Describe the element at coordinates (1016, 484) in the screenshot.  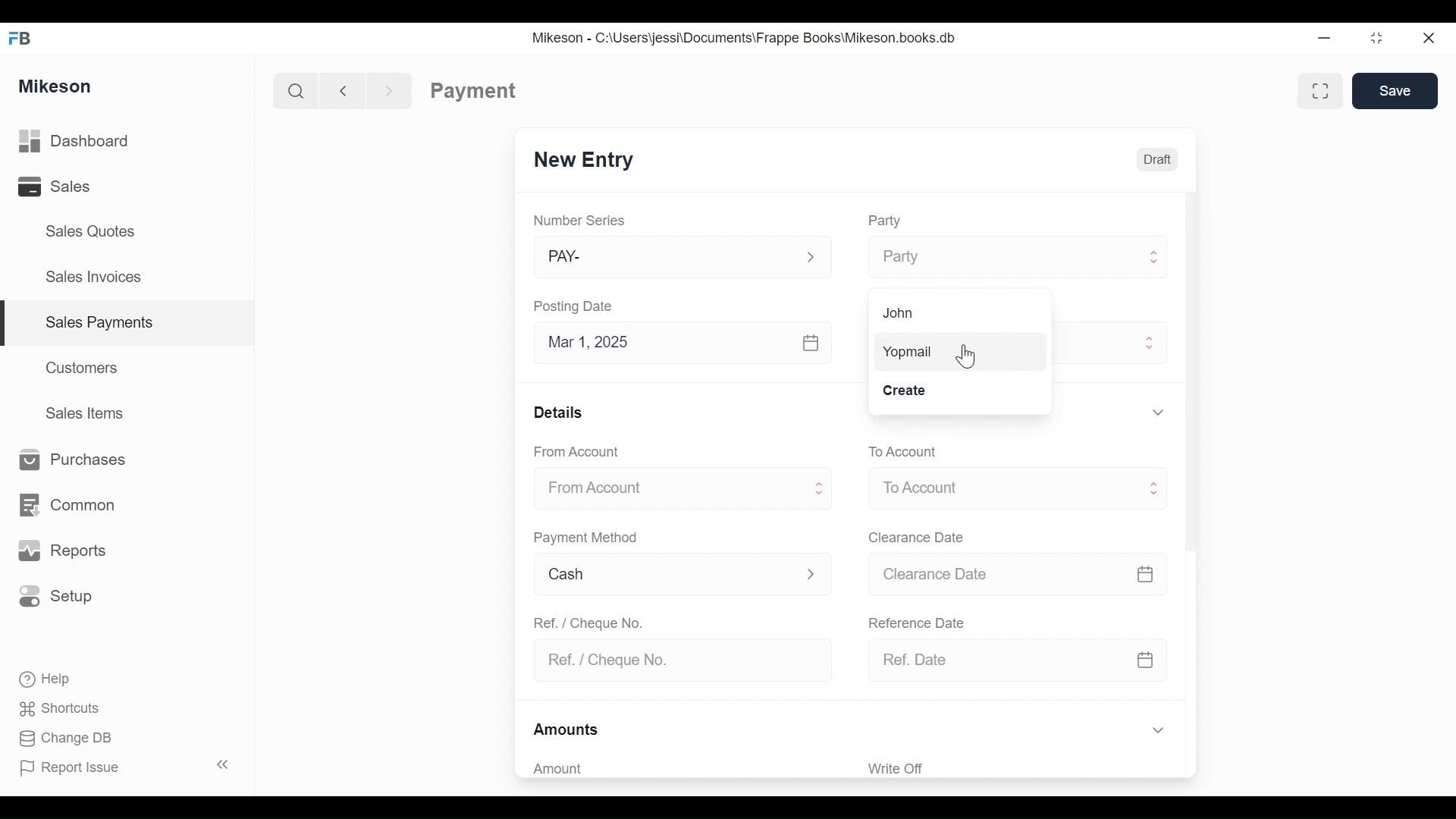
I see `` at that location.